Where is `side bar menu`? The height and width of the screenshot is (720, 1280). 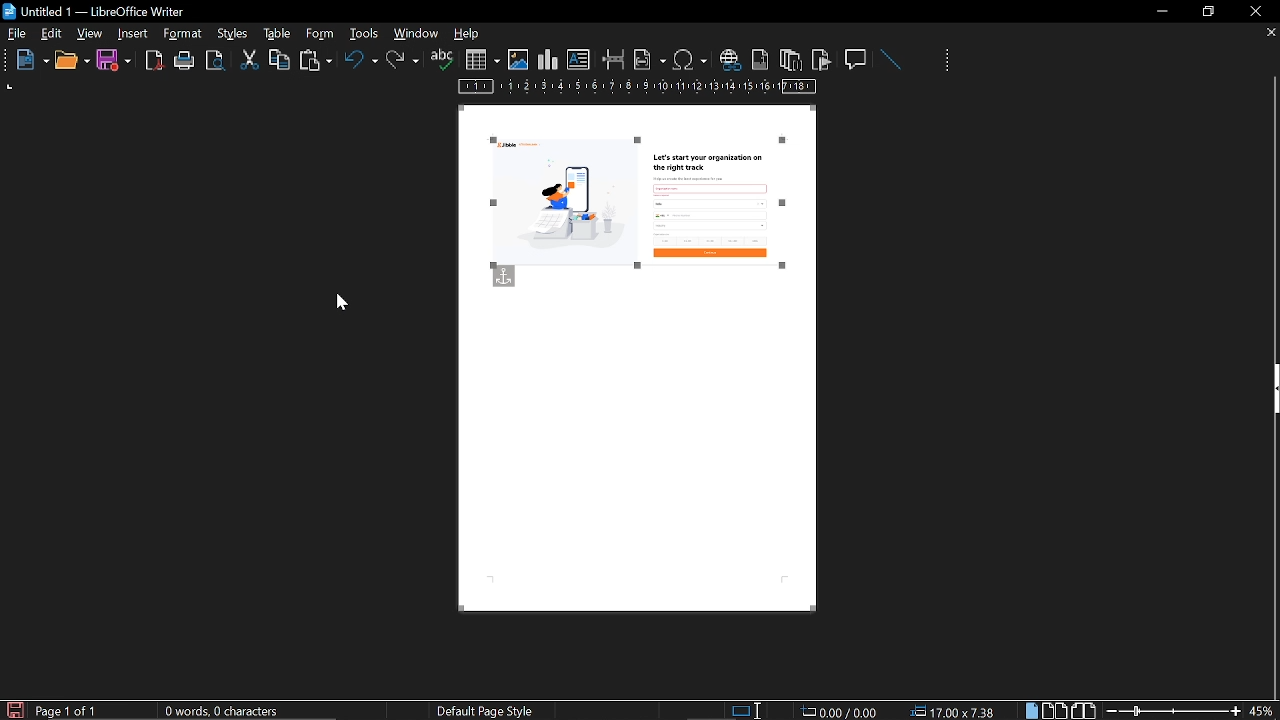
side bar menu is located at coordinates (1272, 389).